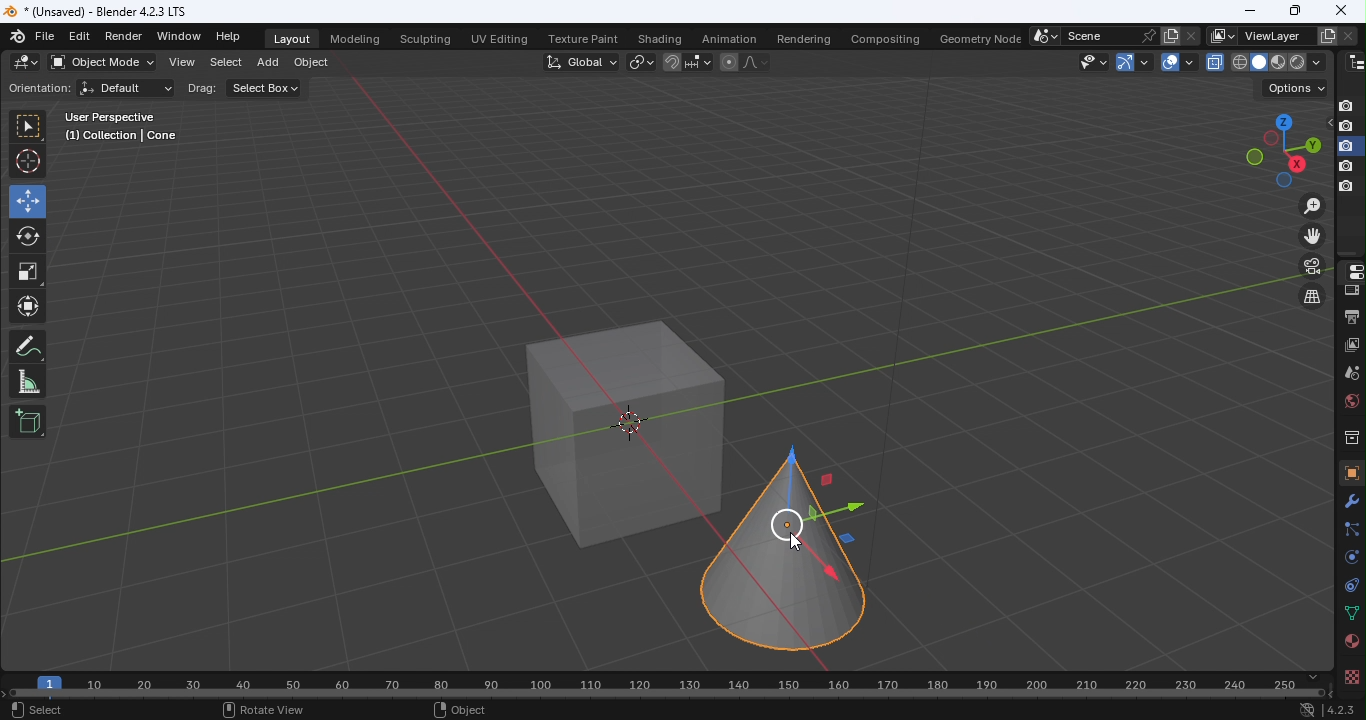  Describe the element at coordinates (1328, 34) in the screenshot. I see `Add view layer` at that location.